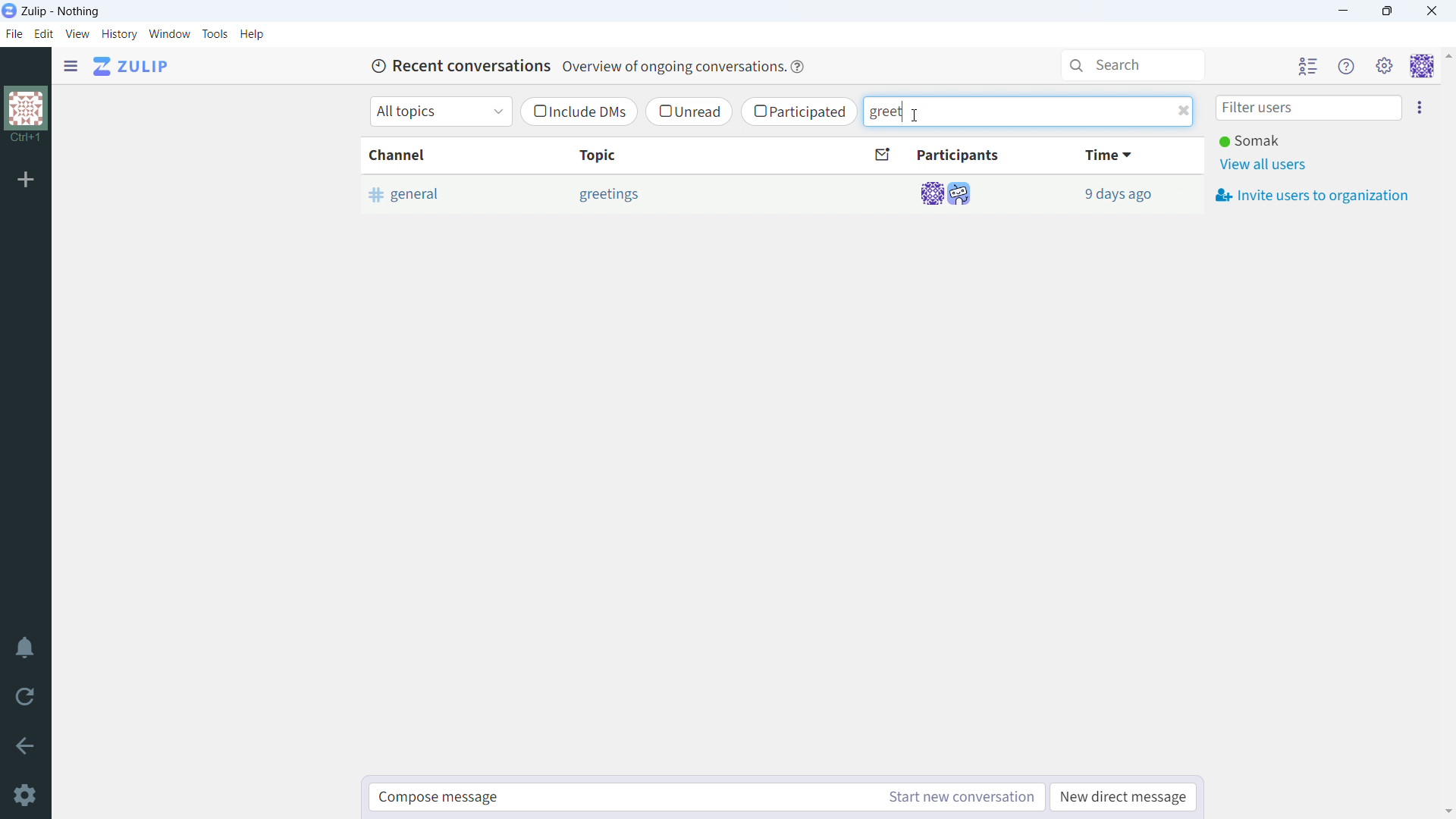  What do you see at coordinates (944, 193) in the screenshot?
I see `participants` at bounding box center [944, 193].